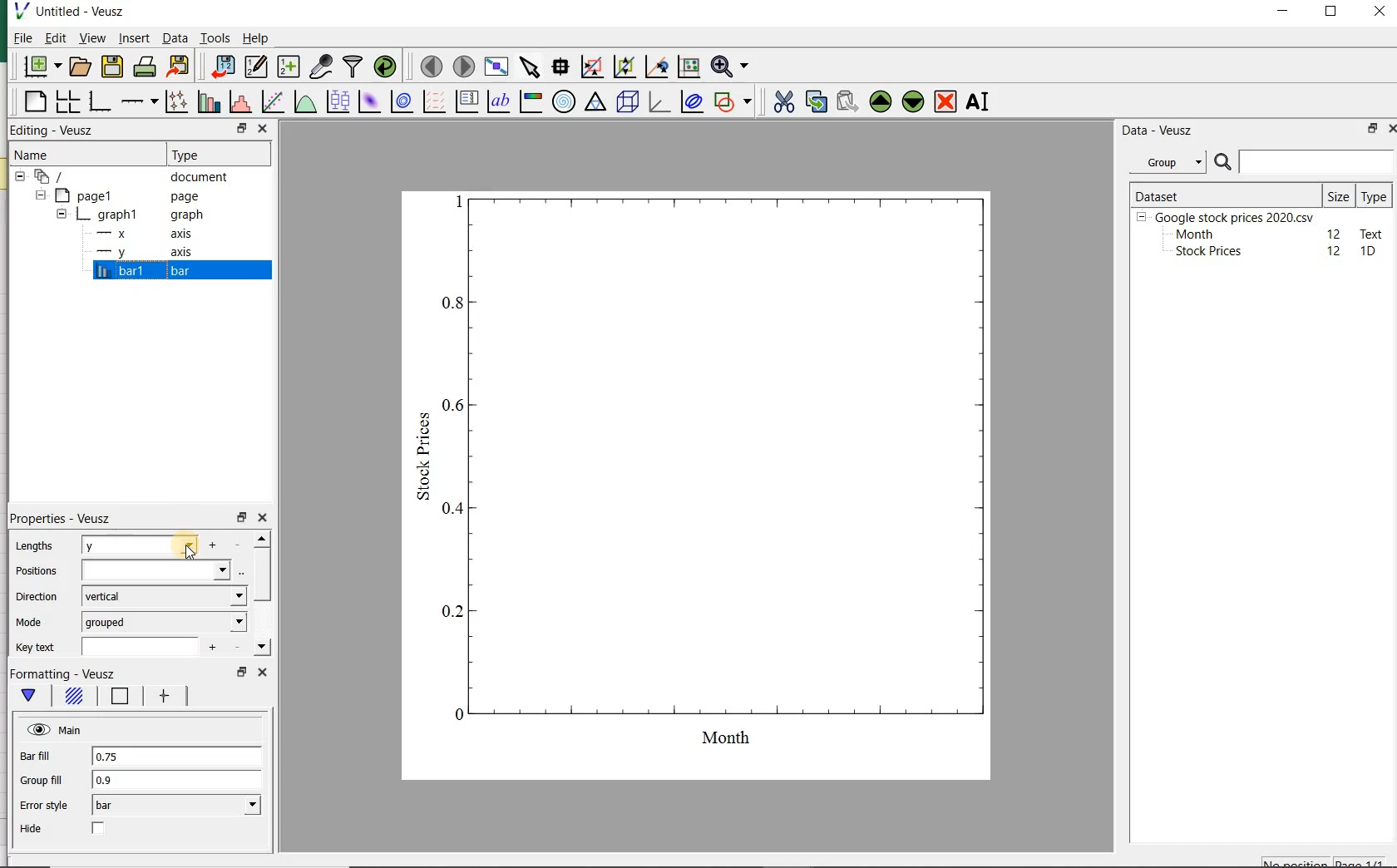  What do you see at coordinates (190, 560) in the screenshot?
I see `cursor` at bounding box center [190, 560].